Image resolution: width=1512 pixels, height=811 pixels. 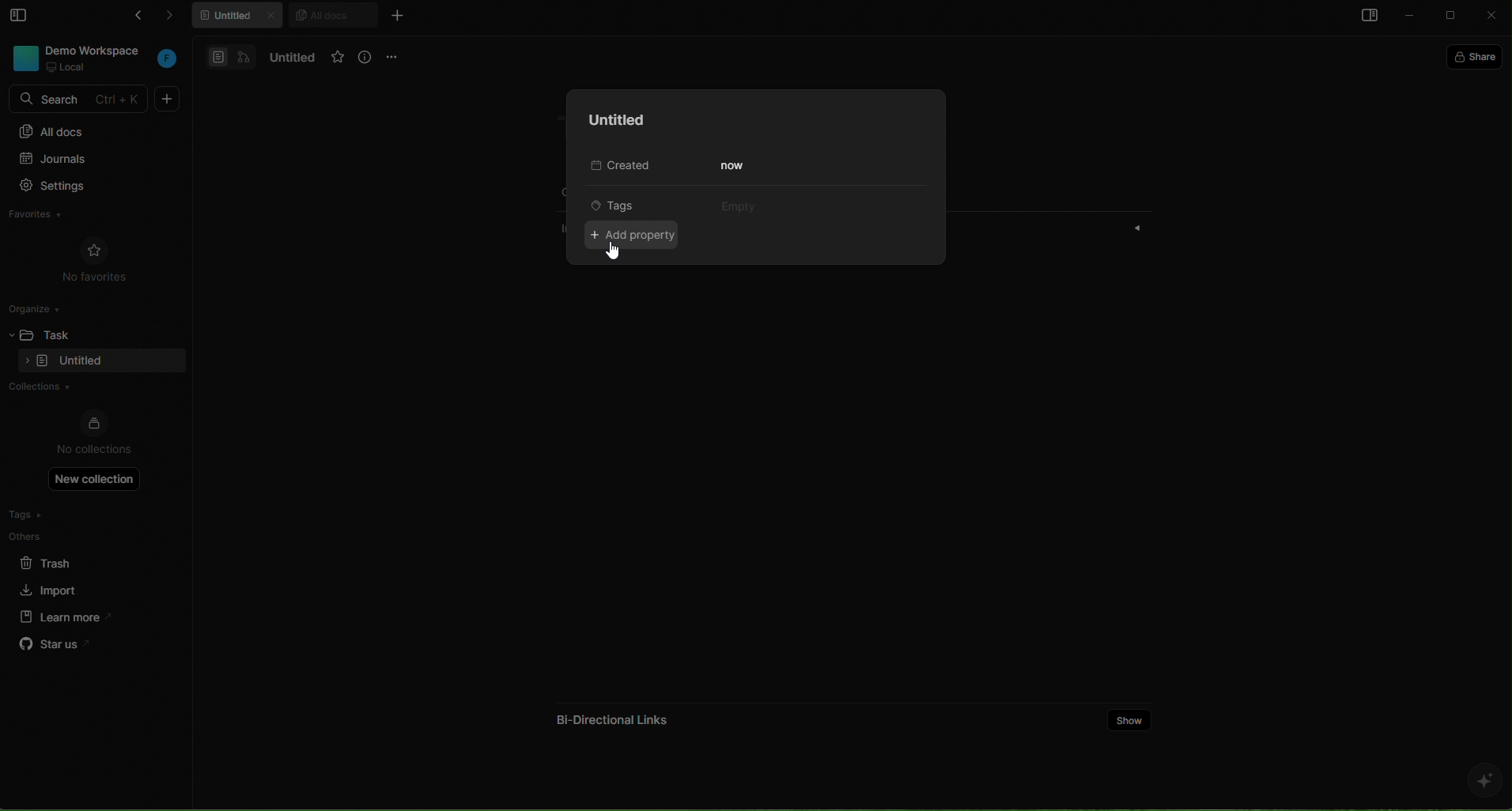 What do you see at coordinates (94, 434) in the screenshot?
I see `no collections` at bounding box center [94, 434].